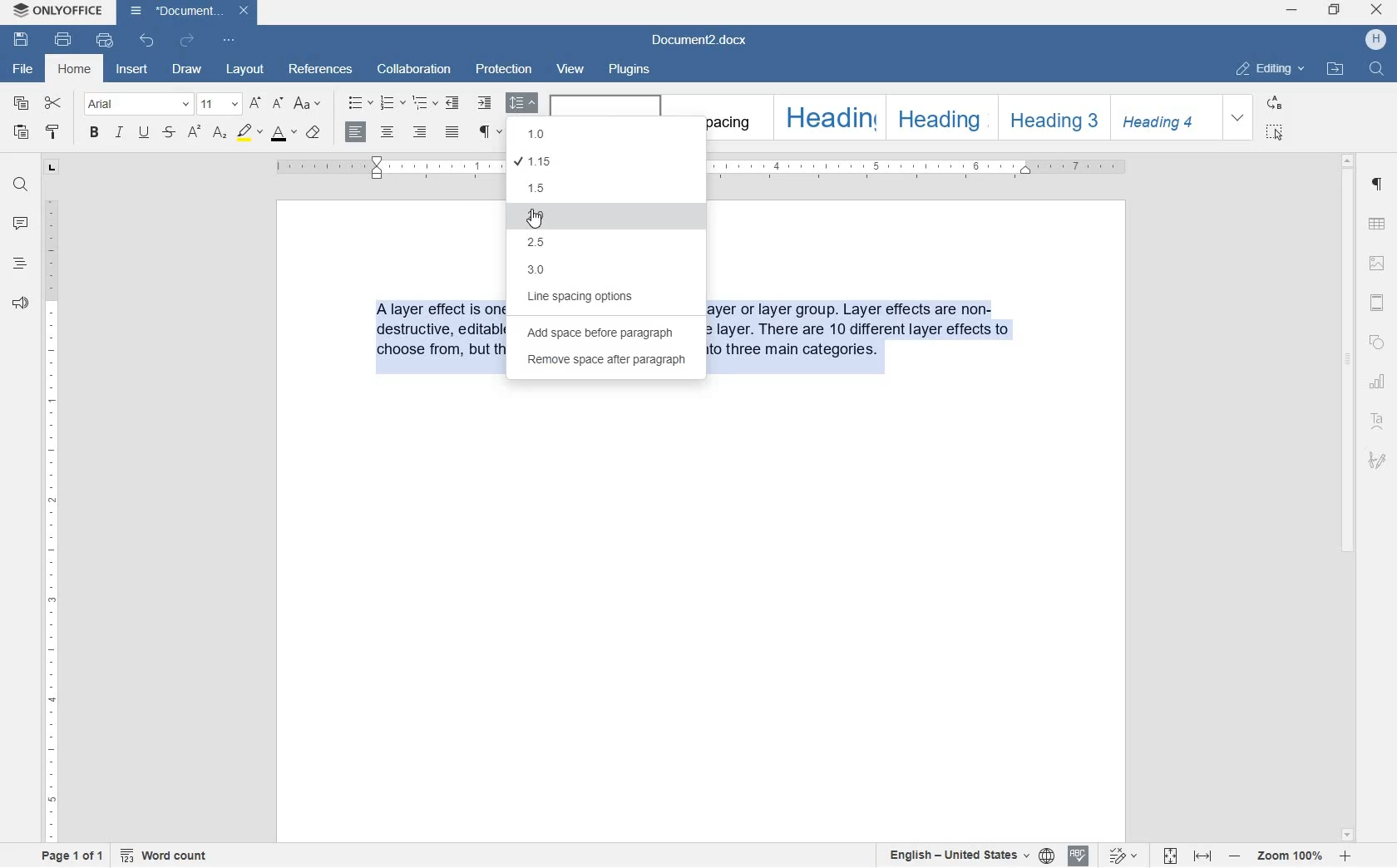  What do you see at coordinates (21, 102) in the screenshot?
I see `copy` at bounding box center [21, 102].